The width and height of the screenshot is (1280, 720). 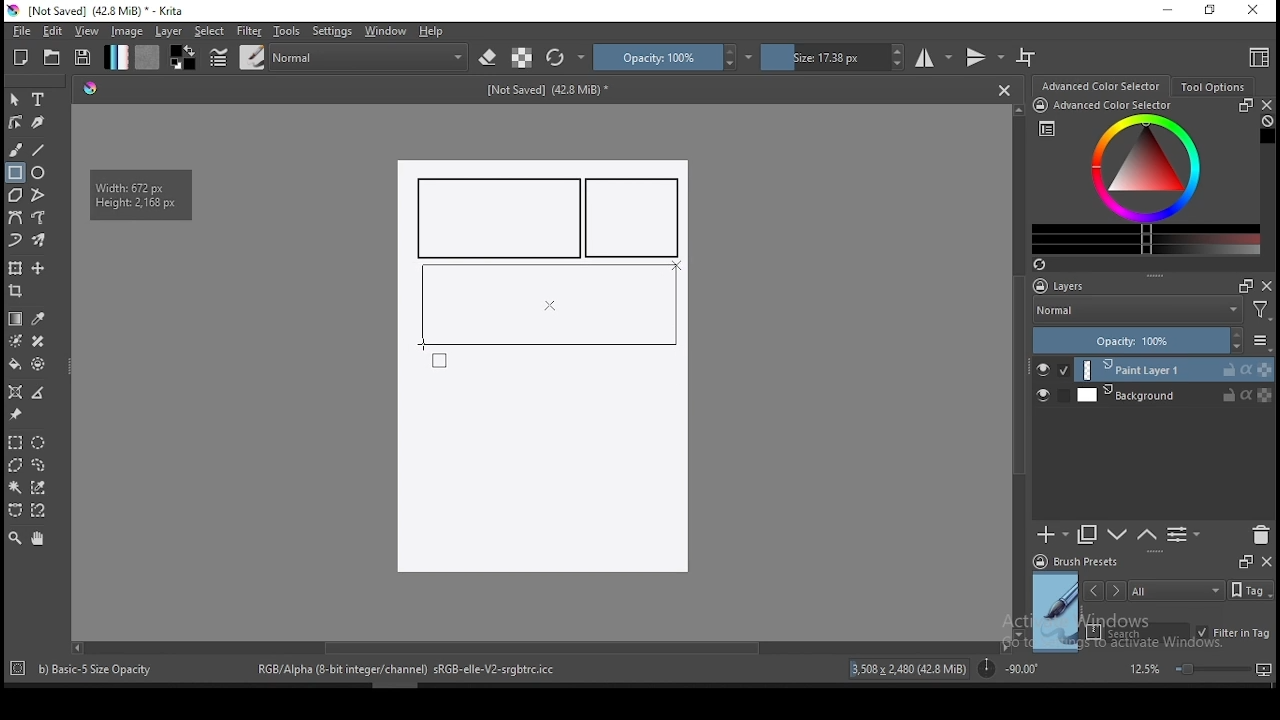 I want to click on ellipse tool, so click(x=39, y=171).